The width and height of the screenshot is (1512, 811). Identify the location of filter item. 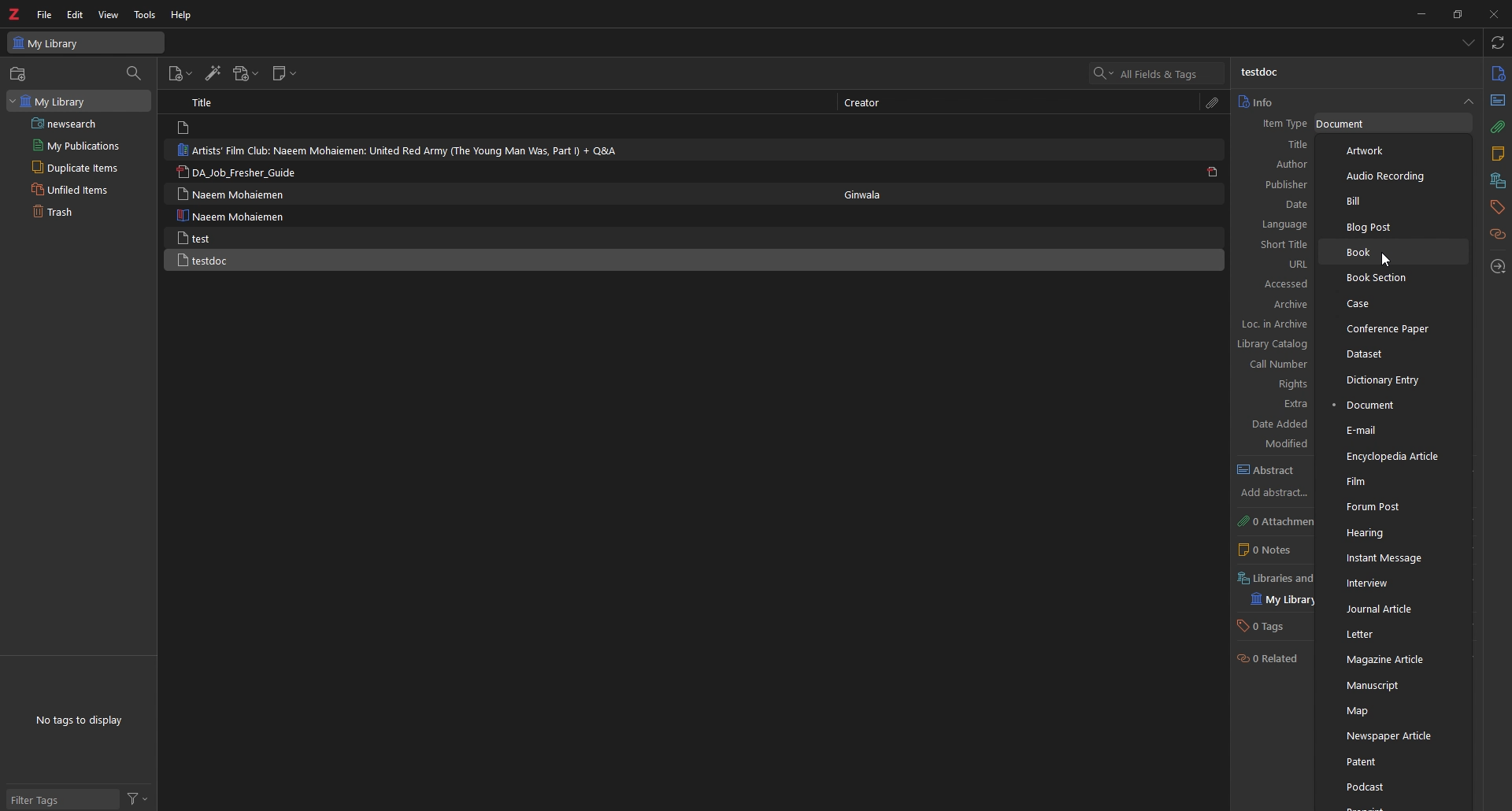
(135, 74).